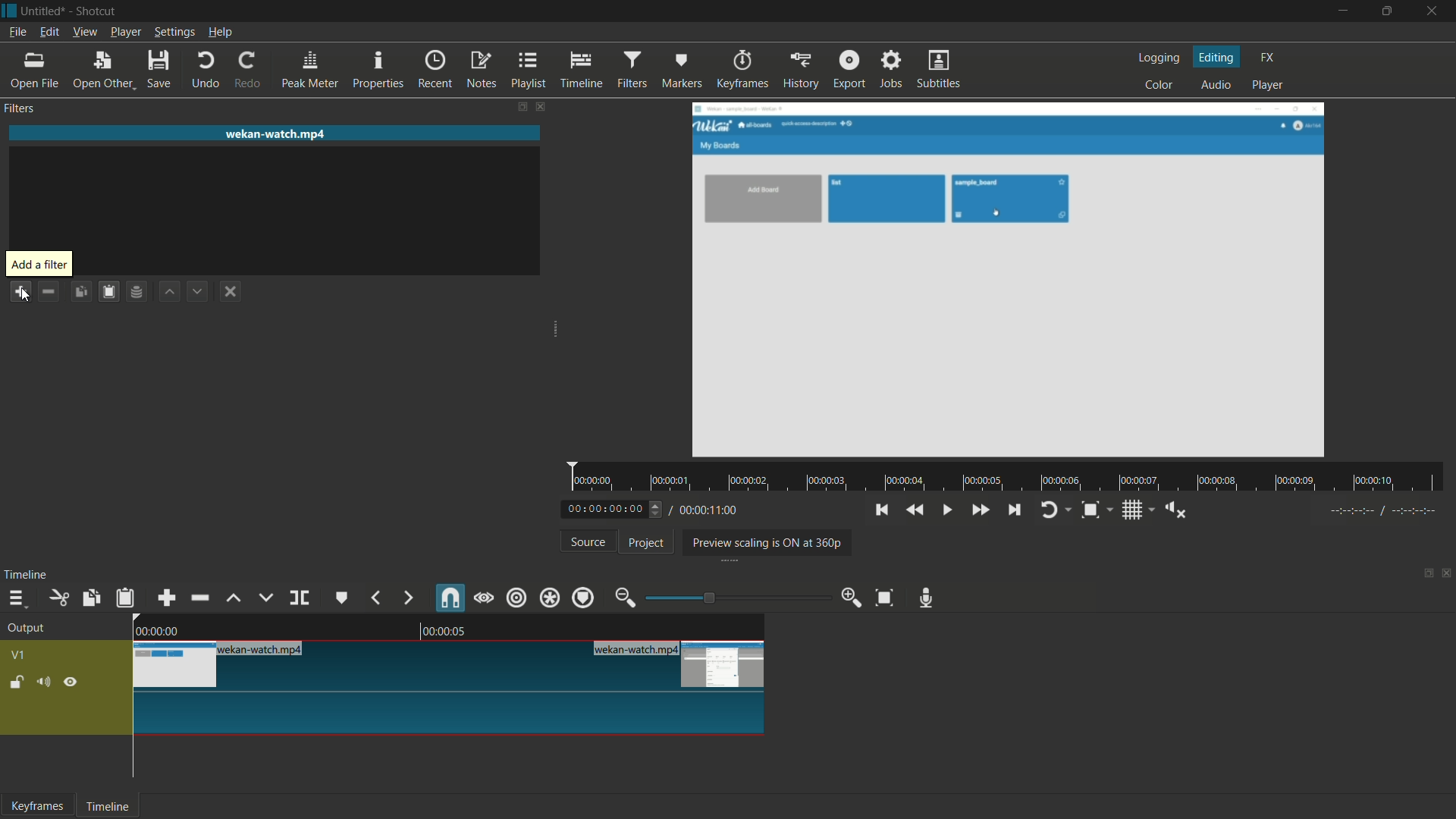 The width and height of the screenshot is (1456, 819). I want to click on timeline, so click(110, 806).